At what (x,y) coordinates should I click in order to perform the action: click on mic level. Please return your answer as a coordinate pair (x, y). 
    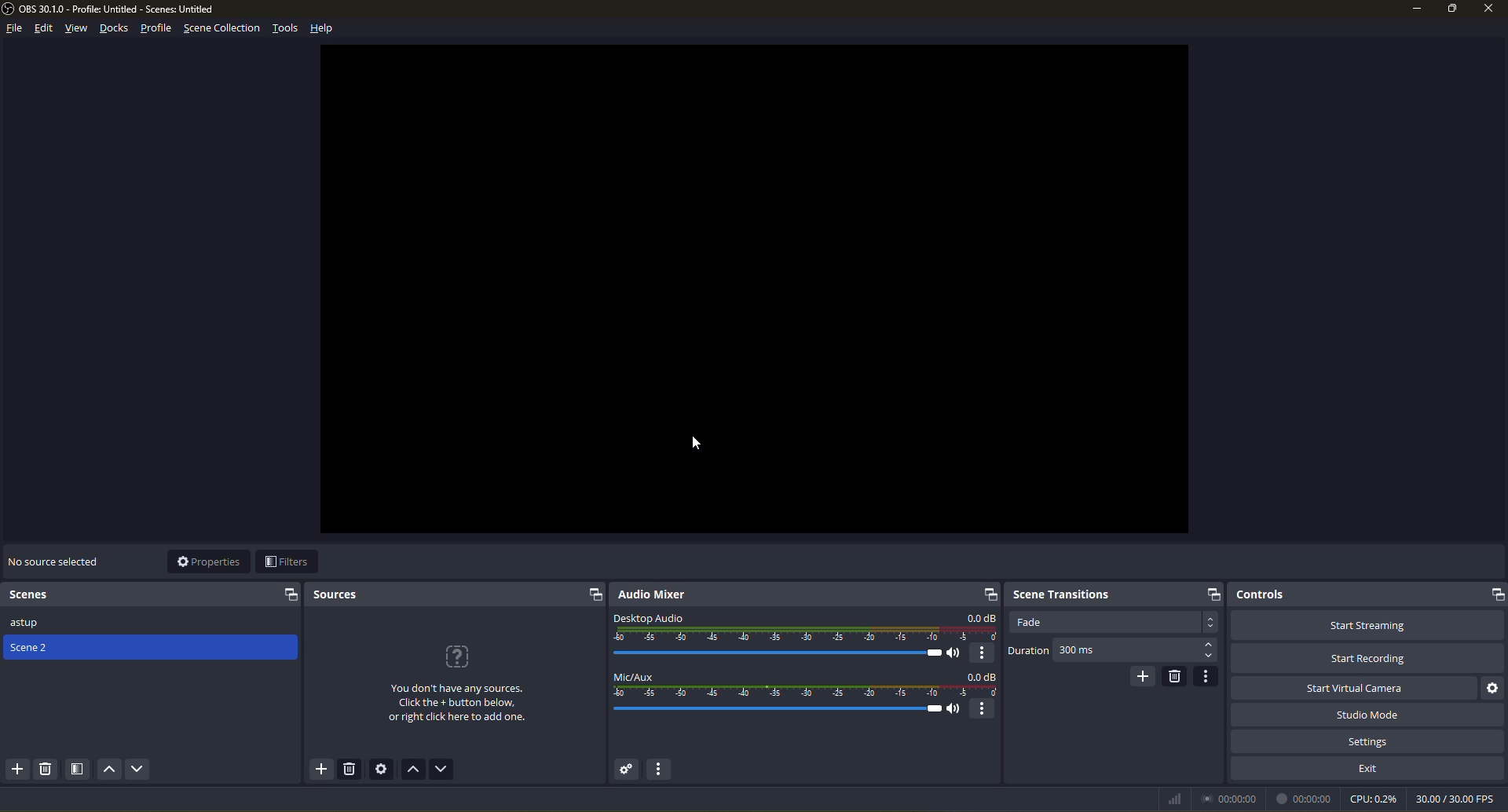
    Looking at the image, I should click on (807, 691).